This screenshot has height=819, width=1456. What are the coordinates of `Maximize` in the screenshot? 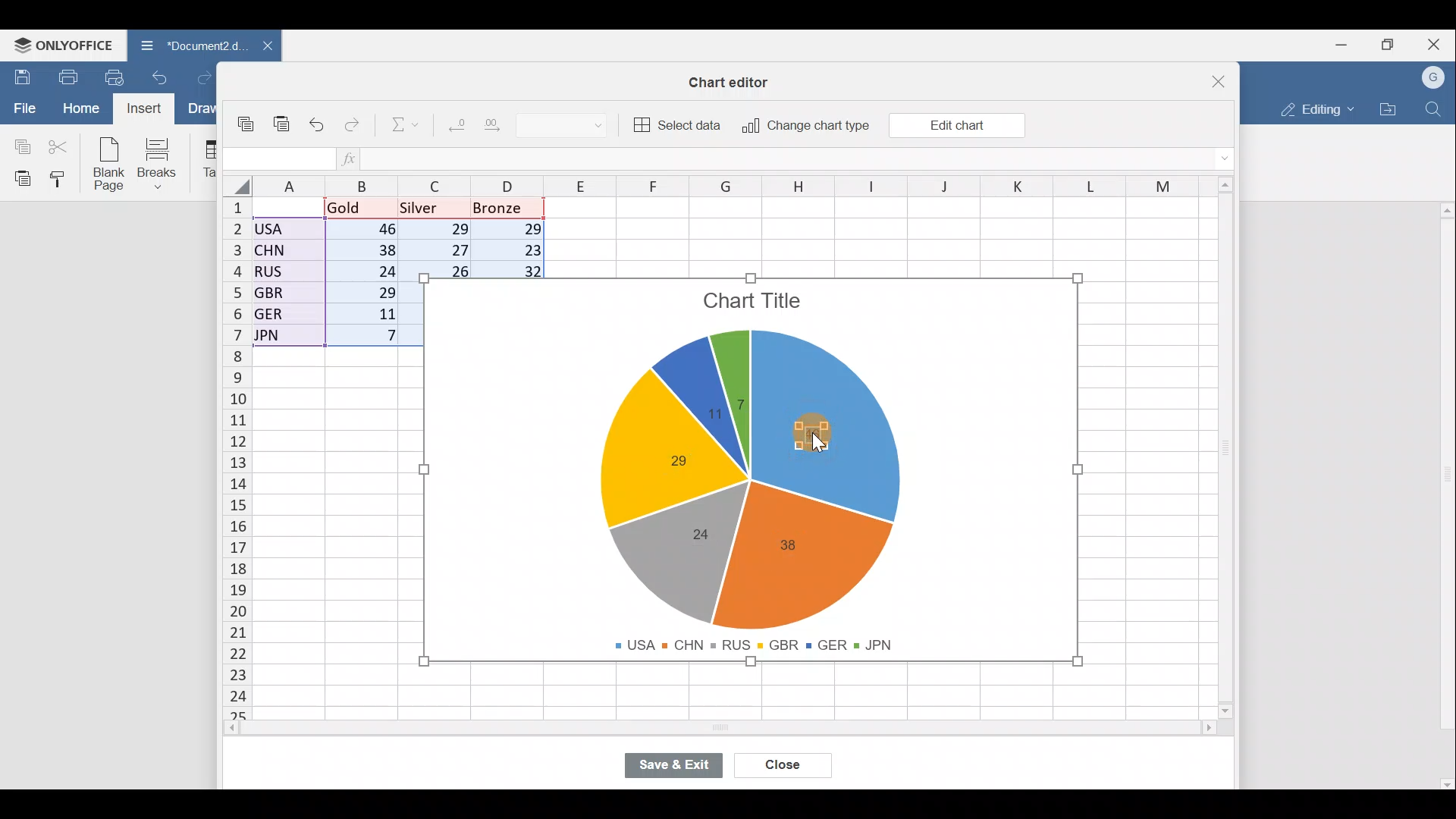 It's located at (1394, 43).